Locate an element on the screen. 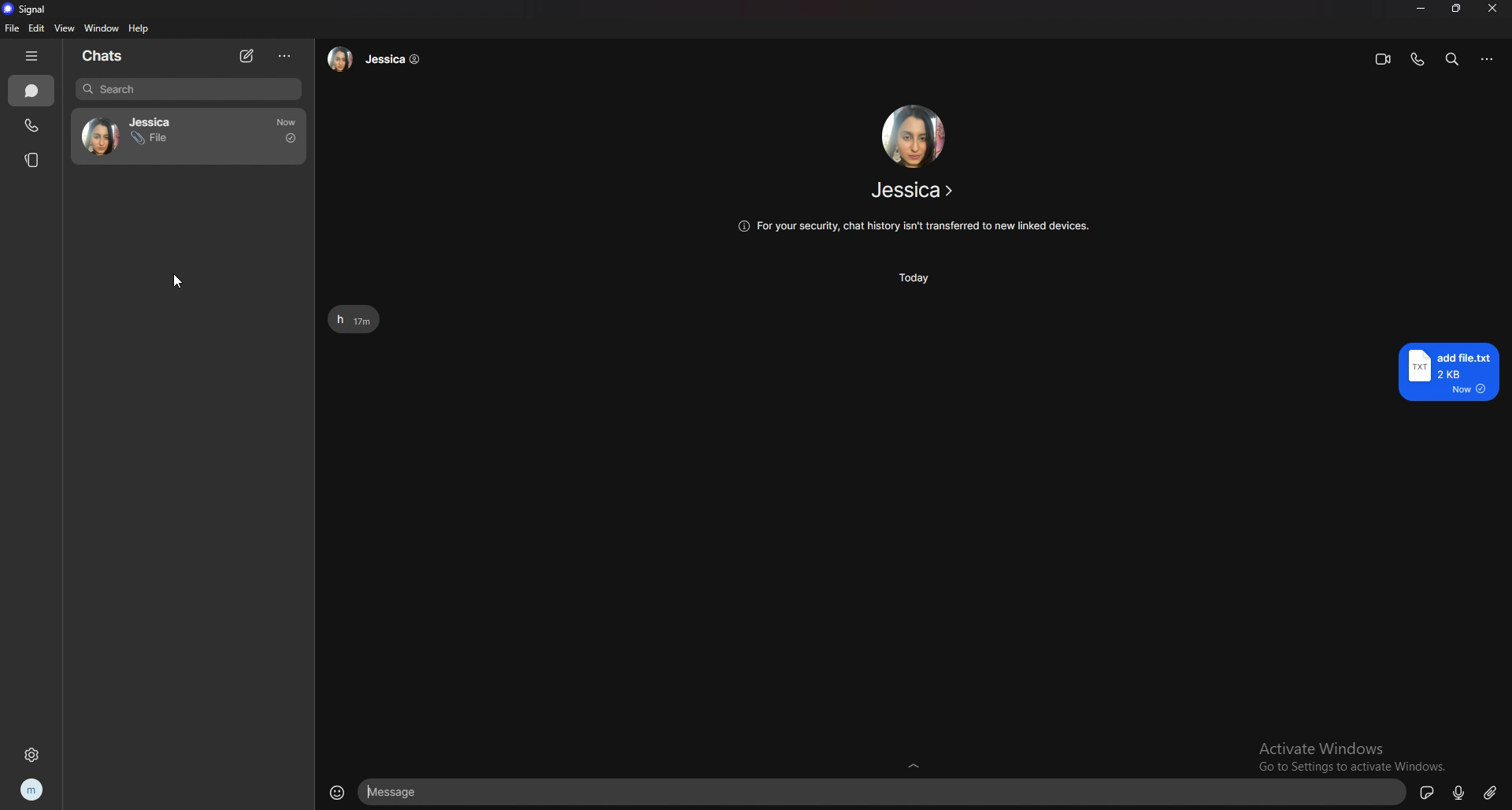  search is located at coordinates (1454, 58).